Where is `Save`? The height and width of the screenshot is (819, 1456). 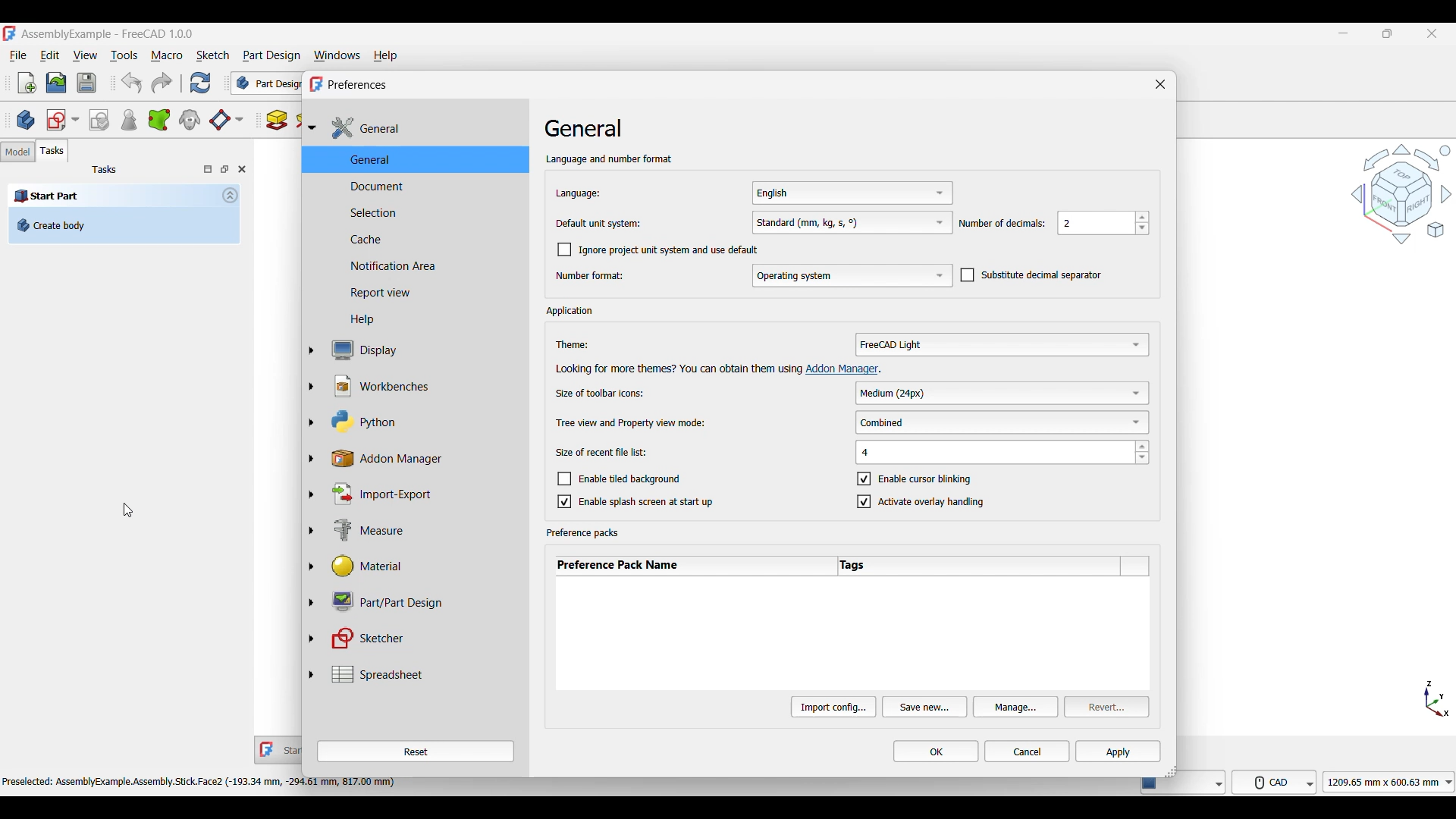
Save is located at coordinates (87, 83).